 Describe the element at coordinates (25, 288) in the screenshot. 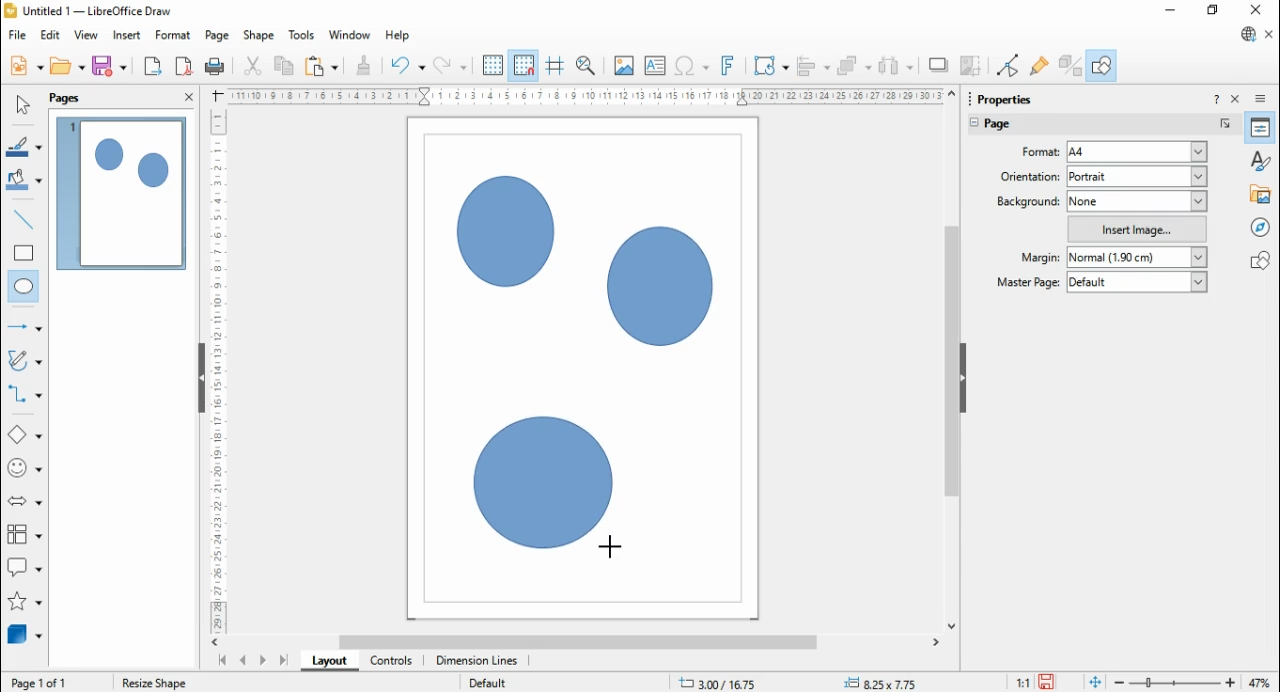

I see `ellipse` at that location.